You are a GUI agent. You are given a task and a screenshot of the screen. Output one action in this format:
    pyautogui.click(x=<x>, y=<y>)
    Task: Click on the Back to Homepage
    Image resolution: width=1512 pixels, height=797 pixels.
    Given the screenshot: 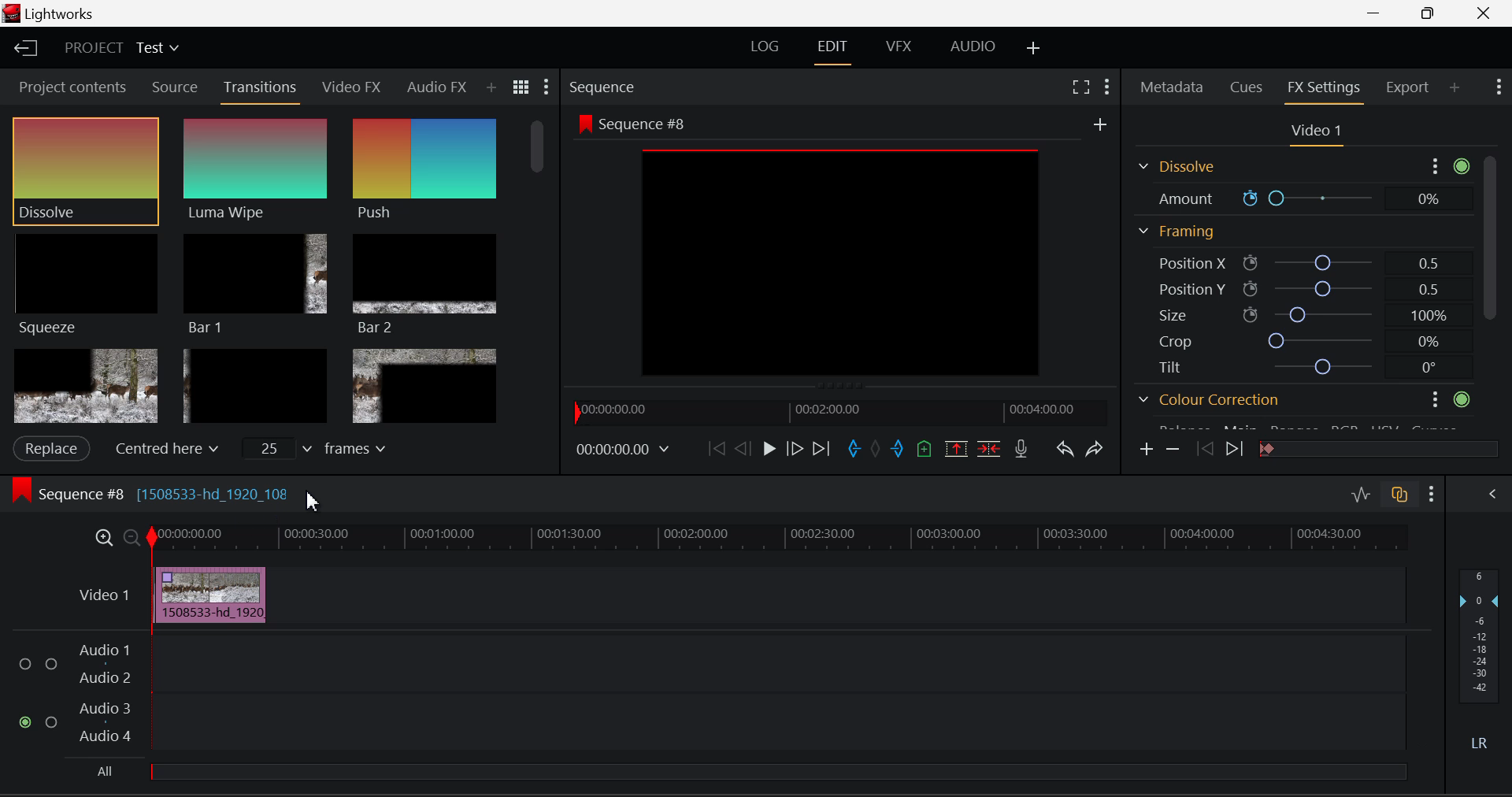 What is the action you would take?
    pyautogui.click(x=24, y=49)
    